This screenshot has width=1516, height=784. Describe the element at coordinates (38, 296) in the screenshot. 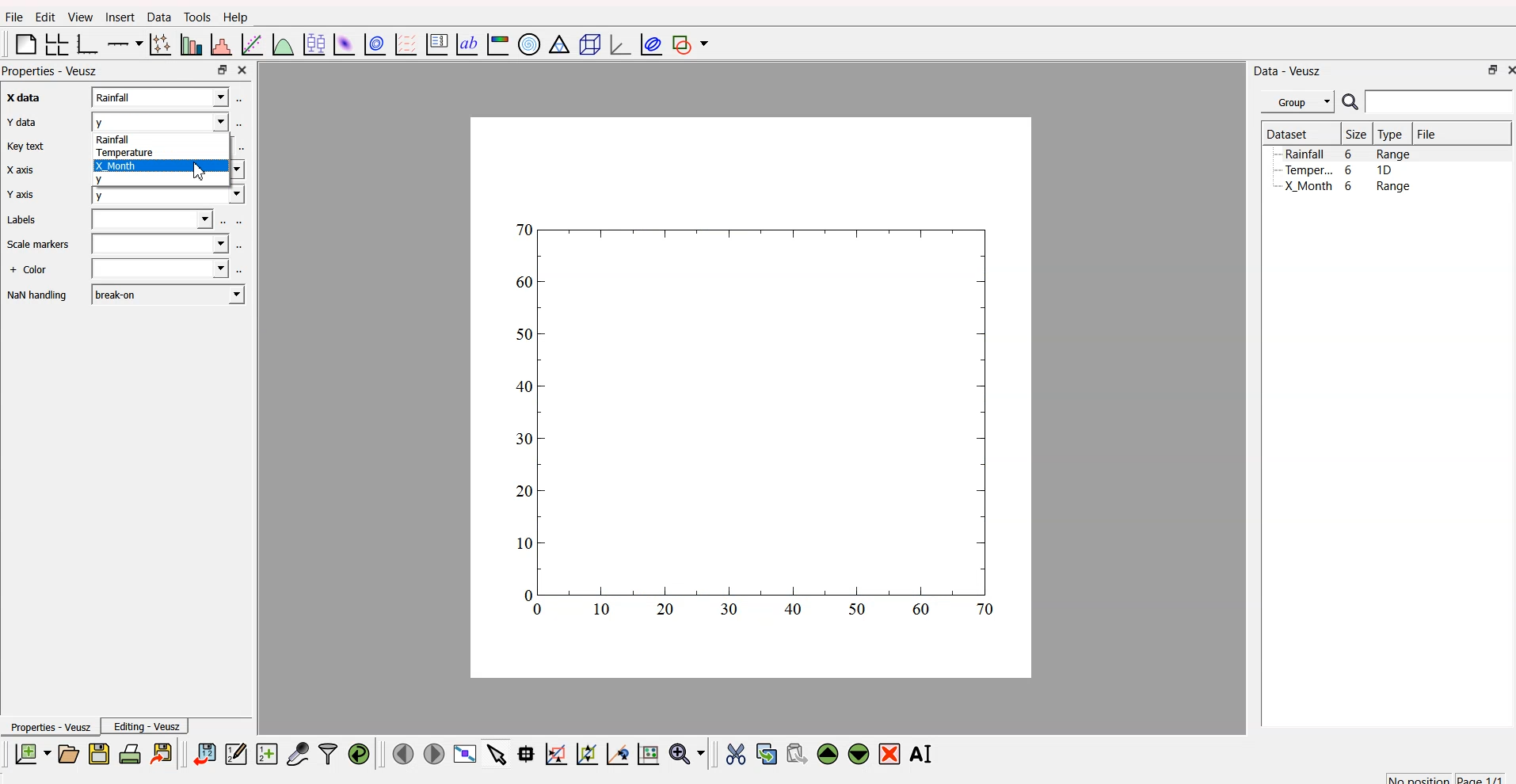

I see `NaN handling` at that location.